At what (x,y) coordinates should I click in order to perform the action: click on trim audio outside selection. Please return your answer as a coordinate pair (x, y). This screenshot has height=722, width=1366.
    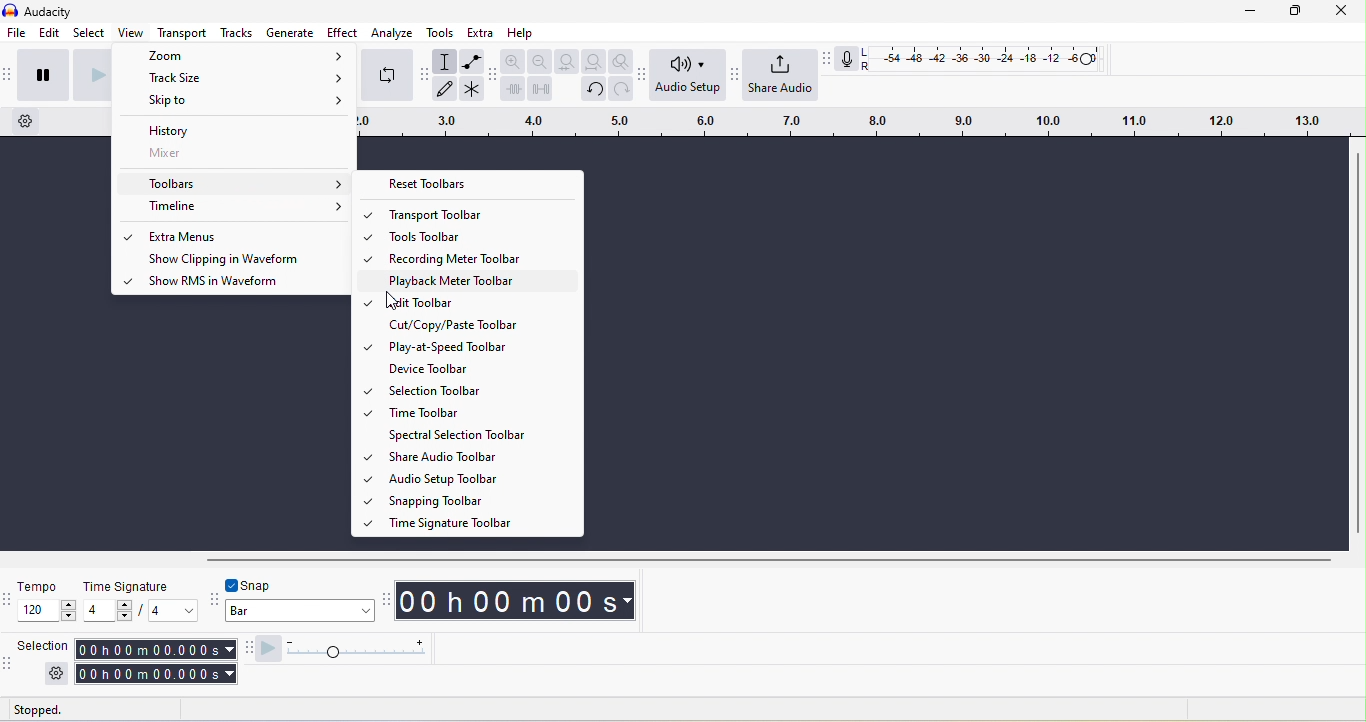
    Looking at the image, I should click on (512, 88).